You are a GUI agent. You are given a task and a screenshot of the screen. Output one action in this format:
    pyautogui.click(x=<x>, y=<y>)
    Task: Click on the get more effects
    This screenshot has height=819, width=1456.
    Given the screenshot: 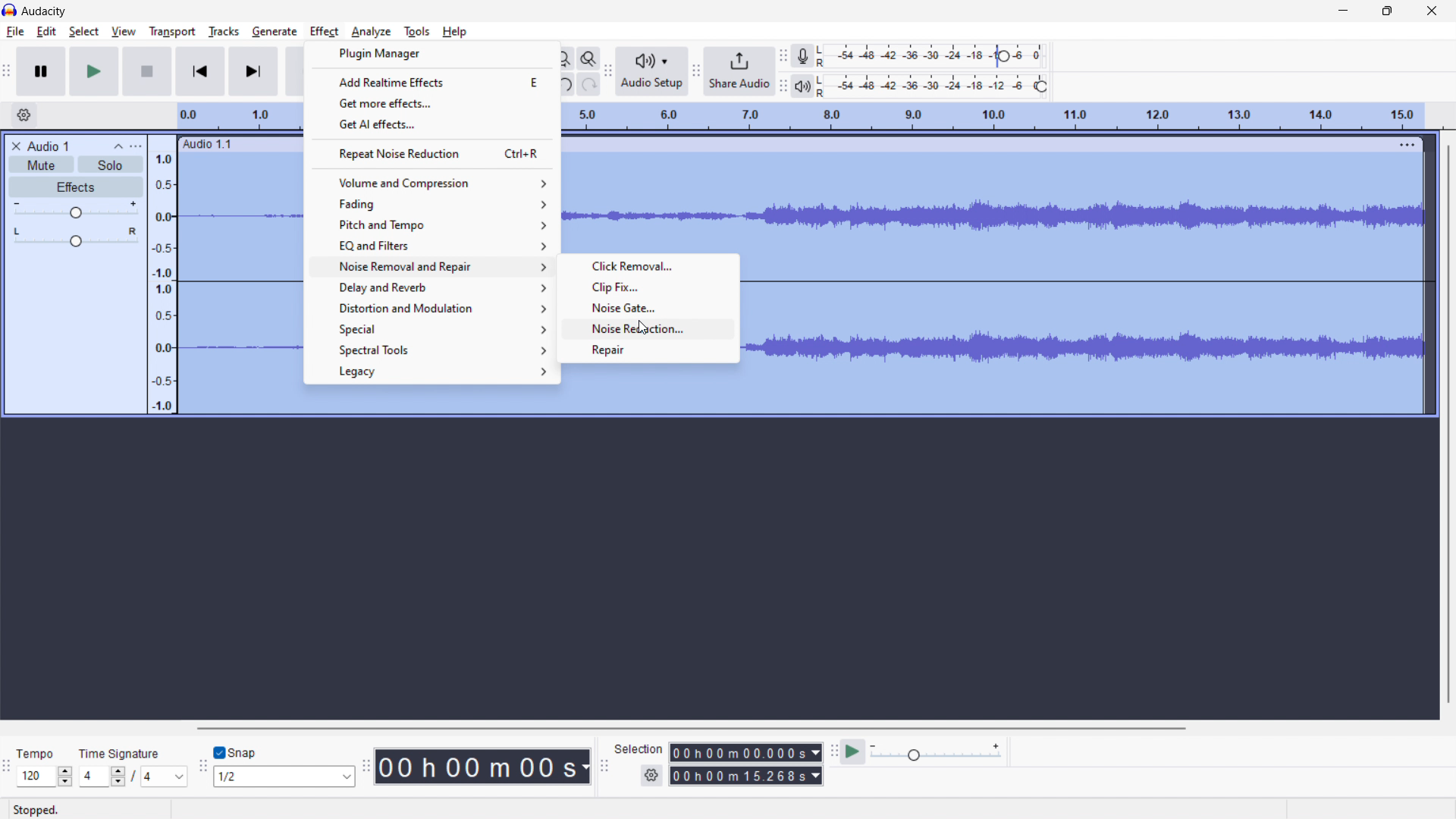 What is the action you would take?
    pyautogui.click(x=431, y=102)
    